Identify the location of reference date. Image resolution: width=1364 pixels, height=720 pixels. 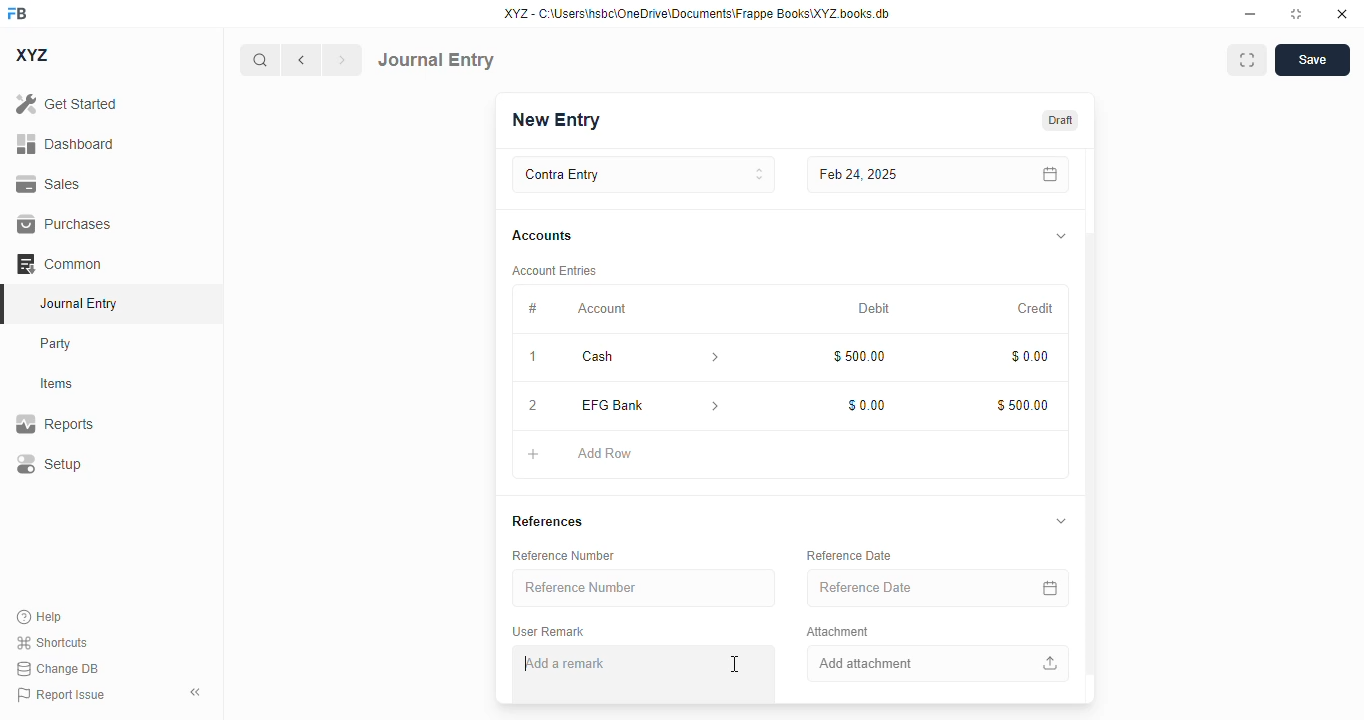
(850, 555).